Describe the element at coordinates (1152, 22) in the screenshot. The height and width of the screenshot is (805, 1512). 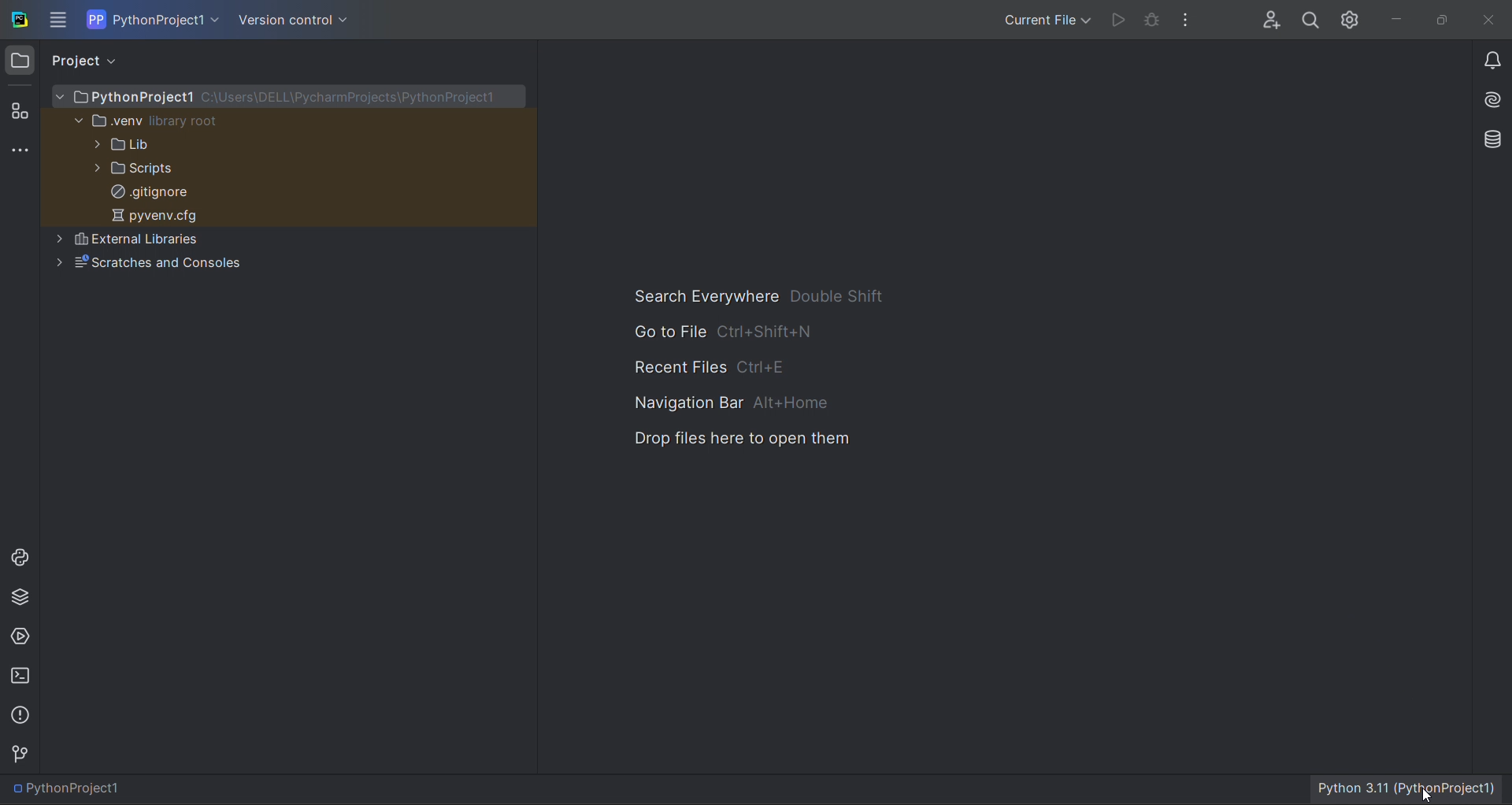
I see `debug` at that location.